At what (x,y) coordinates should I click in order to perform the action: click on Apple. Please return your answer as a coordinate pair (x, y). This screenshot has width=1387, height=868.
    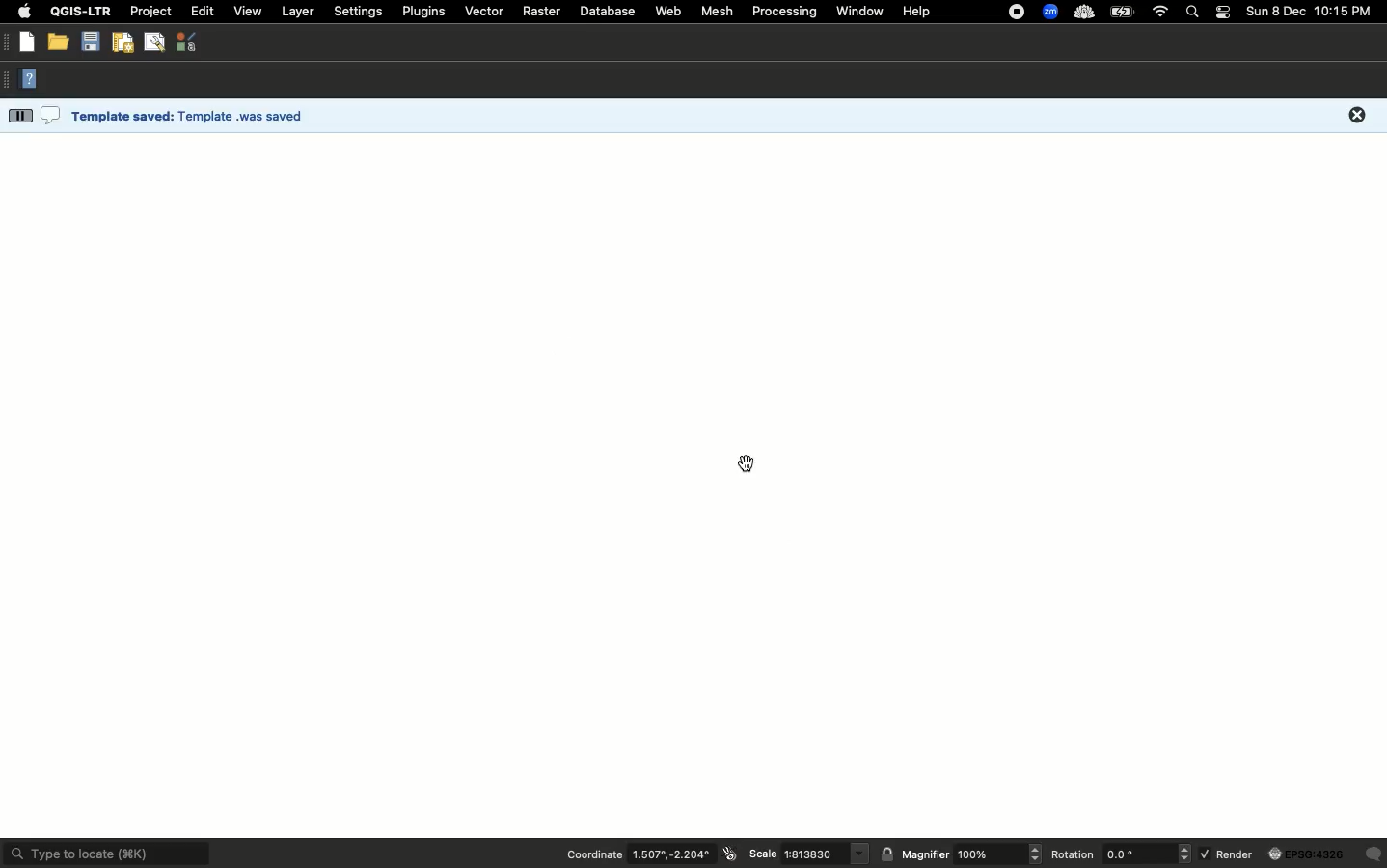
    Looking at the image, I should click on (23, 12).